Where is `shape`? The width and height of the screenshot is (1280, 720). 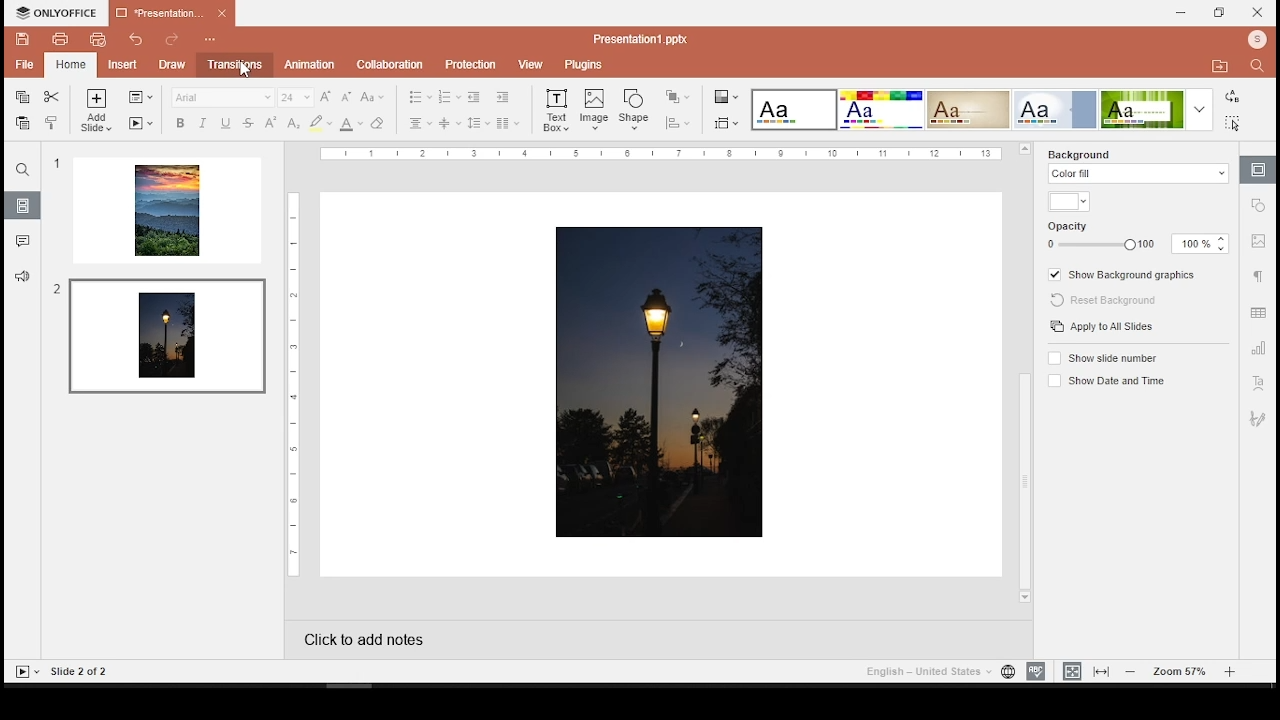 shape is located at coordinates (634, 109).